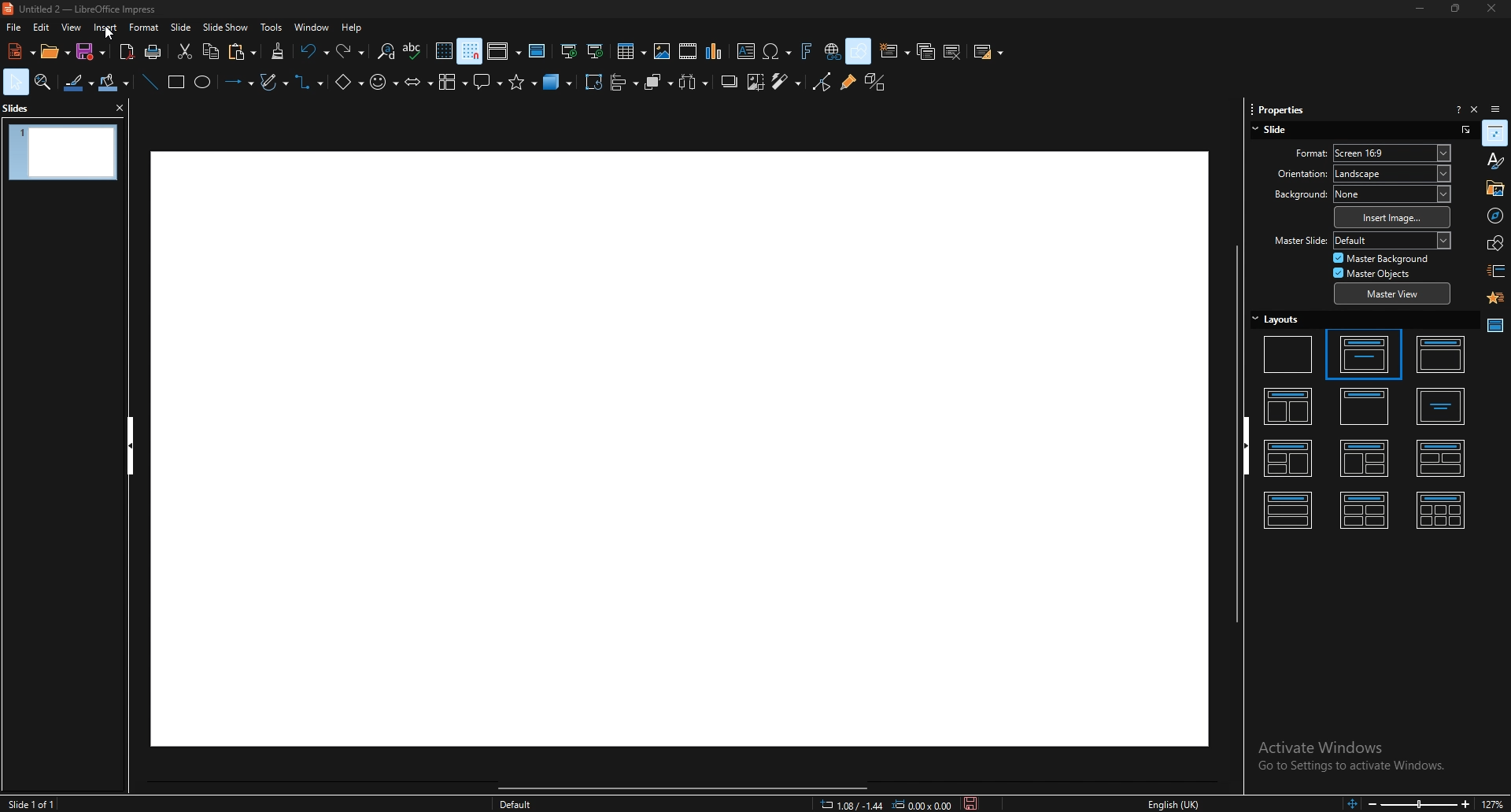 This screenshot has width=1511, height=812. What do you see at coordinates (1441, 407) in the screenshot?
I see `centered text` at bounding box center [1441, 407].